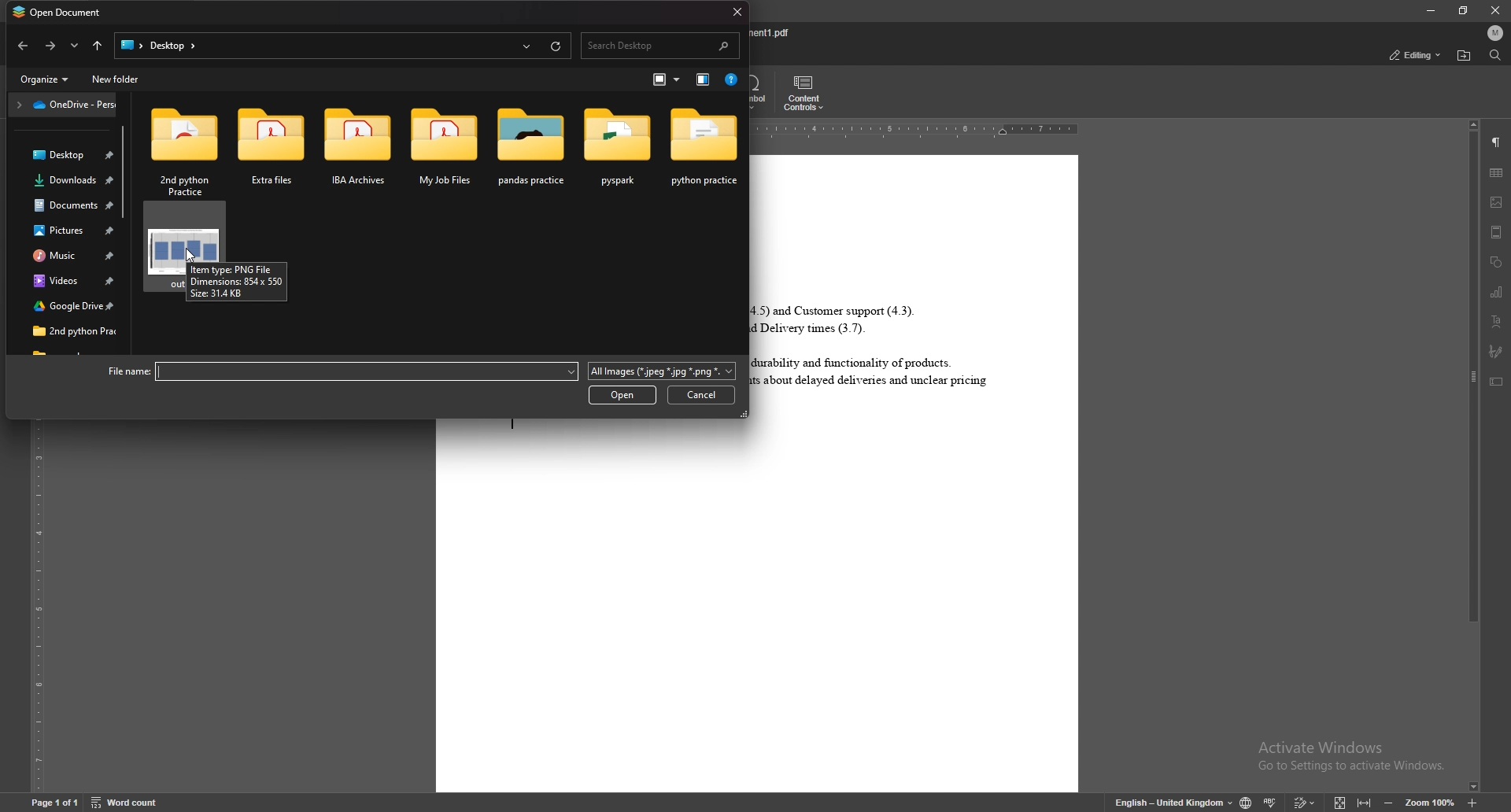  I want to click on new folder, so click(115, 79).